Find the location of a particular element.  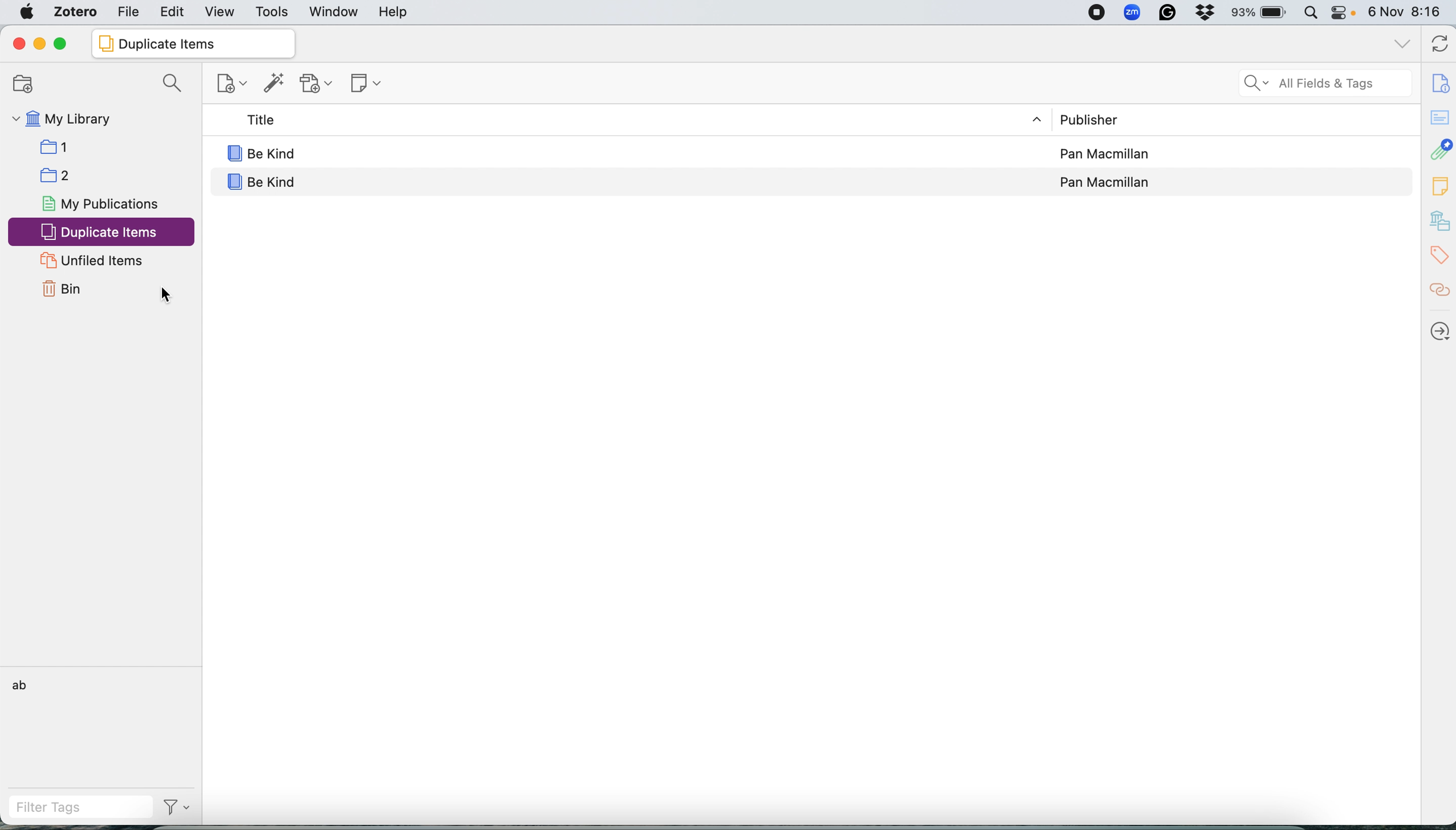

add item by portion is located at coordinates (278, 83).